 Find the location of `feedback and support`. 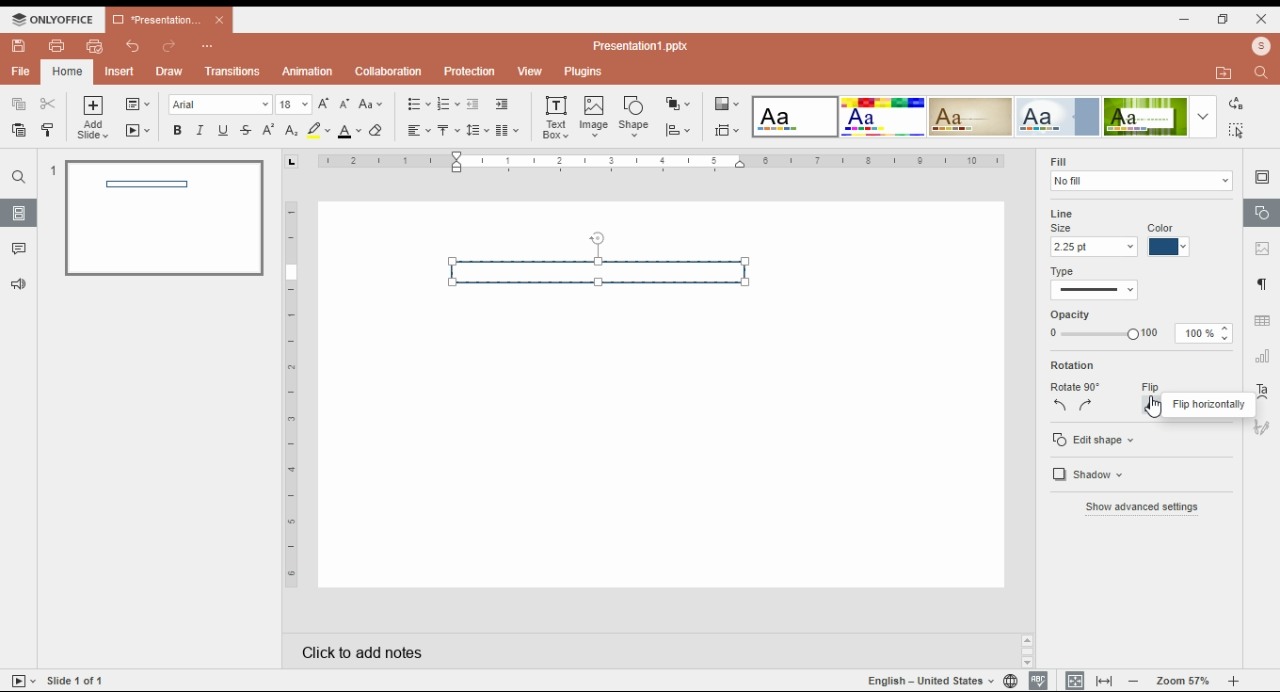

feedback and support is located at coordinates (17, 283).